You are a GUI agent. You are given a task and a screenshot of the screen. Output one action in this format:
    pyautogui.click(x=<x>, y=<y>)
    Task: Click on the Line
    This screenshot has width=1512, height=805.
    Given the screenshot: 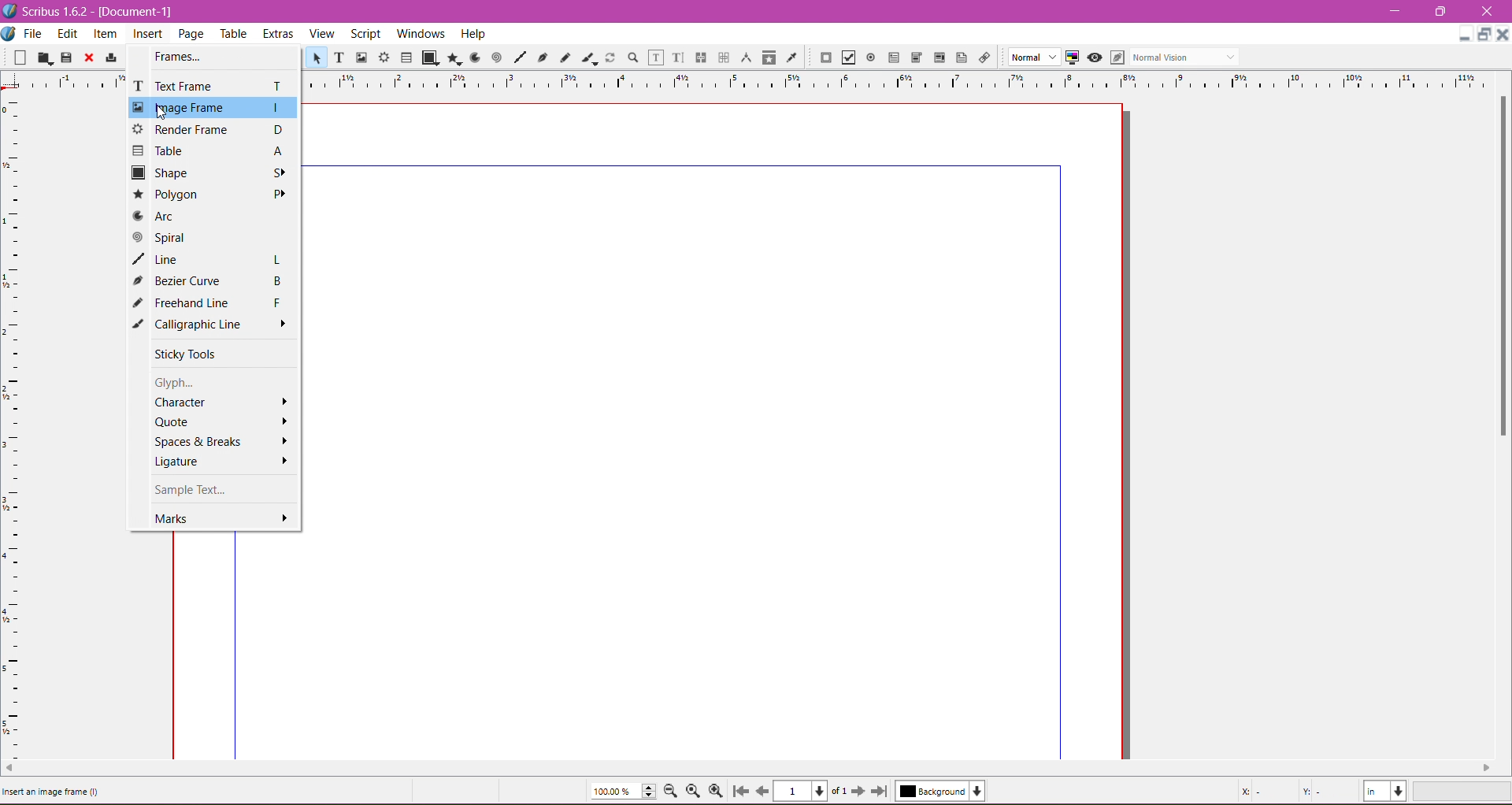 What is the action you would take?
    pyautogui.click(x=520, y=57)
    